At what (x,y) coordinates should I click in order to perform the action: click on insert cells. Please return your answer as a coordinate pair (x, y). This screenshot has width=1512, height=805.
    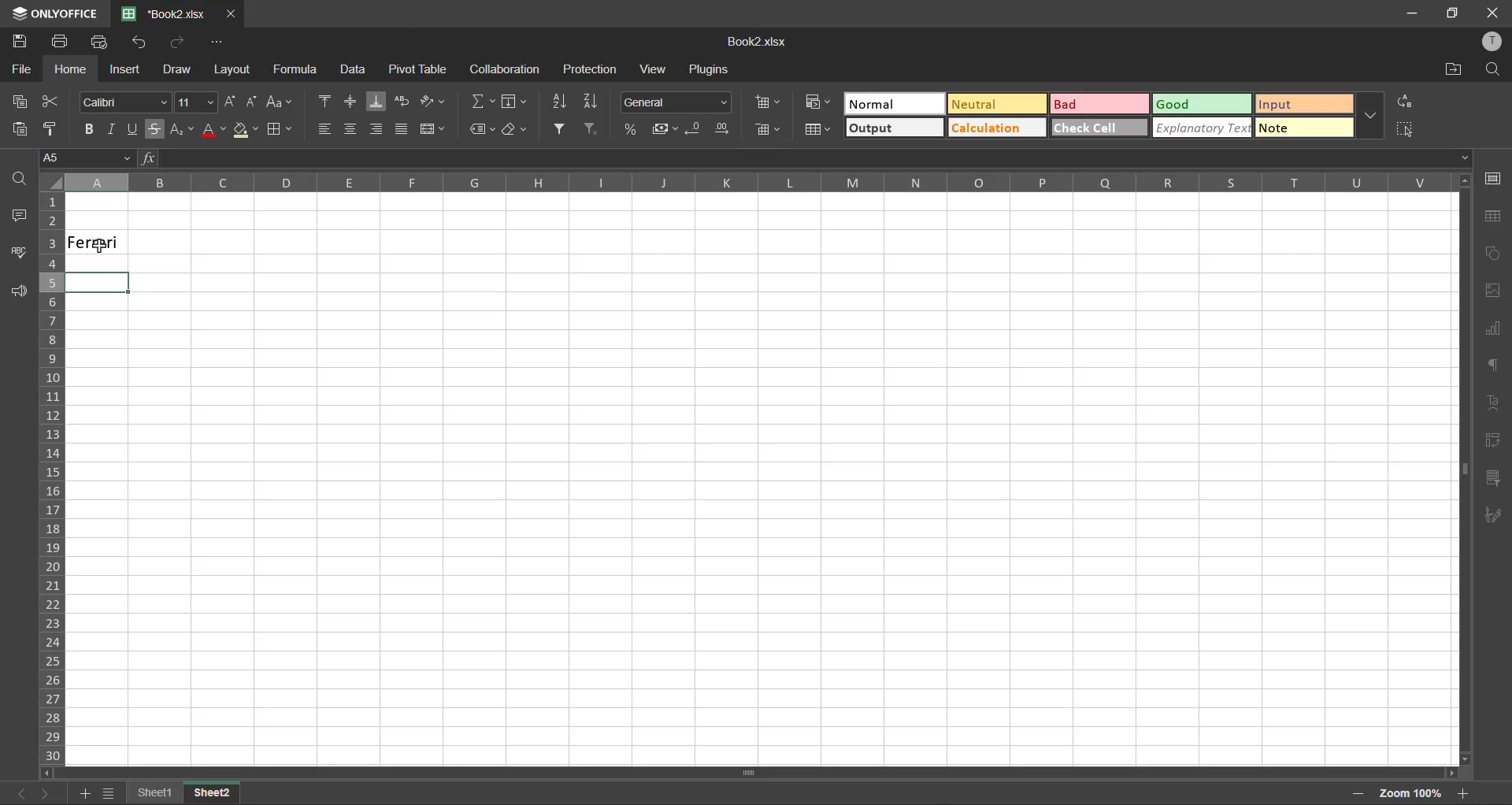
    Looking at the image, I should click on (768, 101).